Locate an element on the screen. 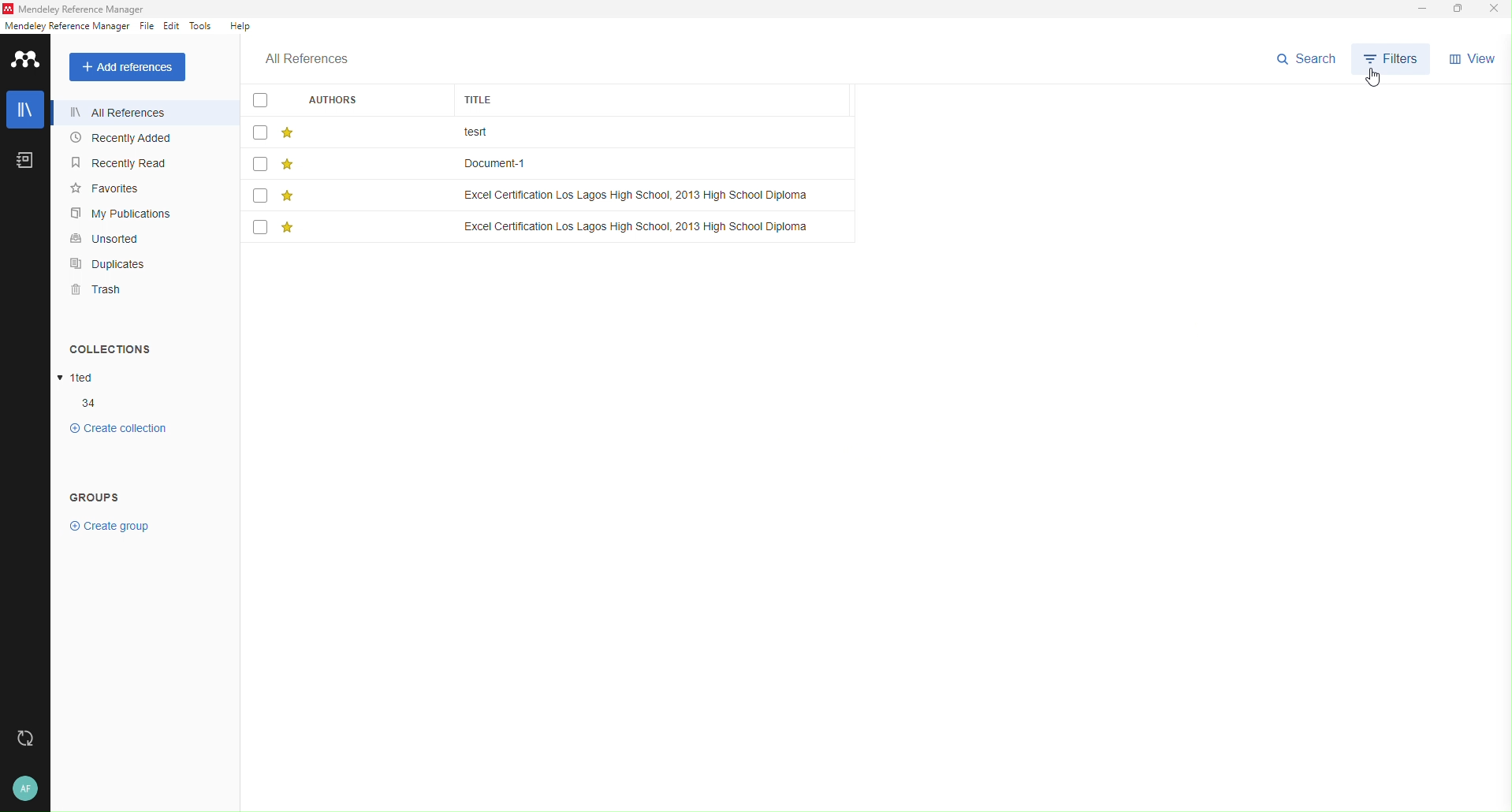 The height and width of the screenshot is (812, 1512). collections is located at coordinates (91, 403).